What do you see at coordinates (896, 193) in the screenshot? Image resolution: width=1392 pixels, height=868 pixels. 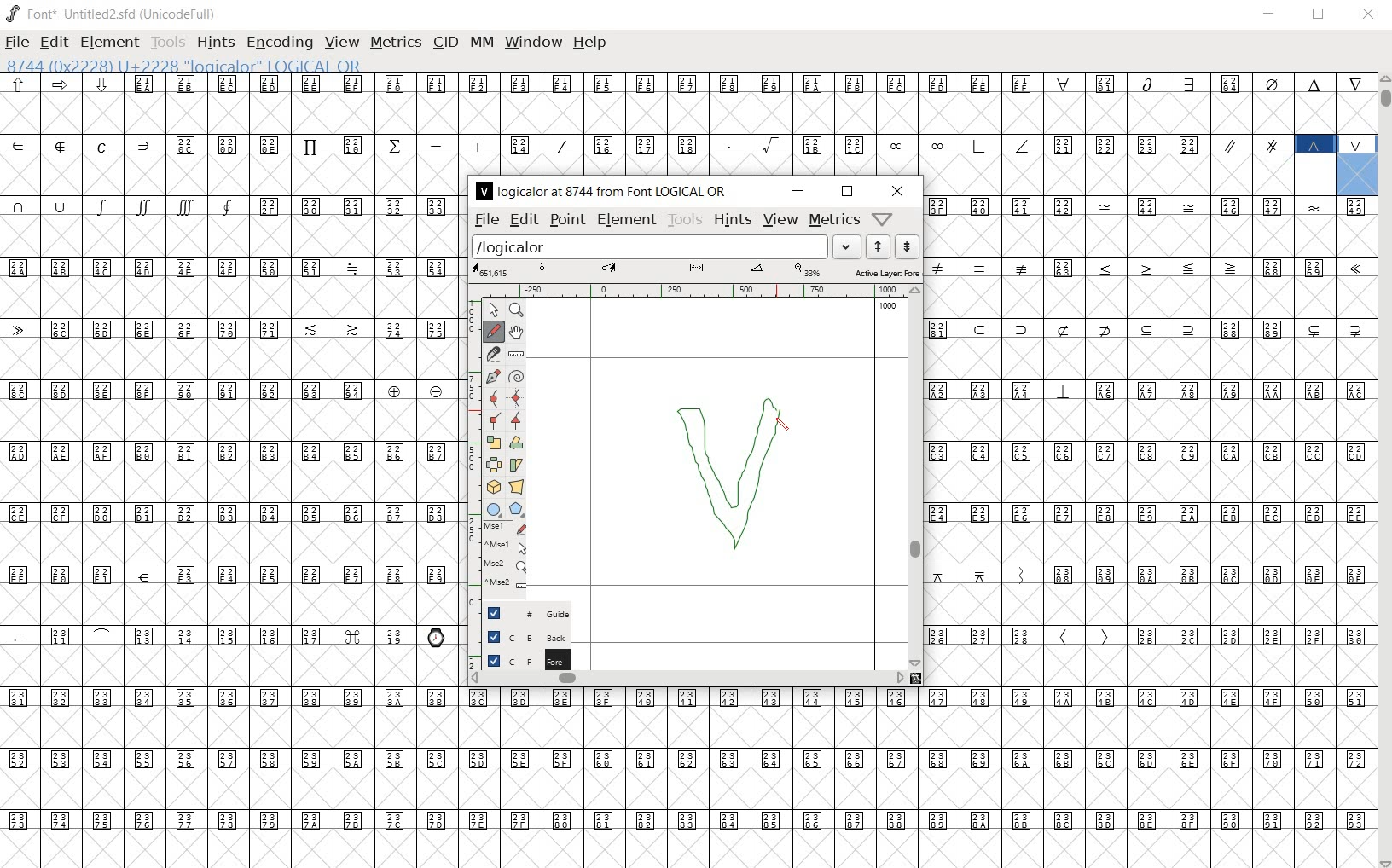 I see `close` at bounding box center [896, 193].